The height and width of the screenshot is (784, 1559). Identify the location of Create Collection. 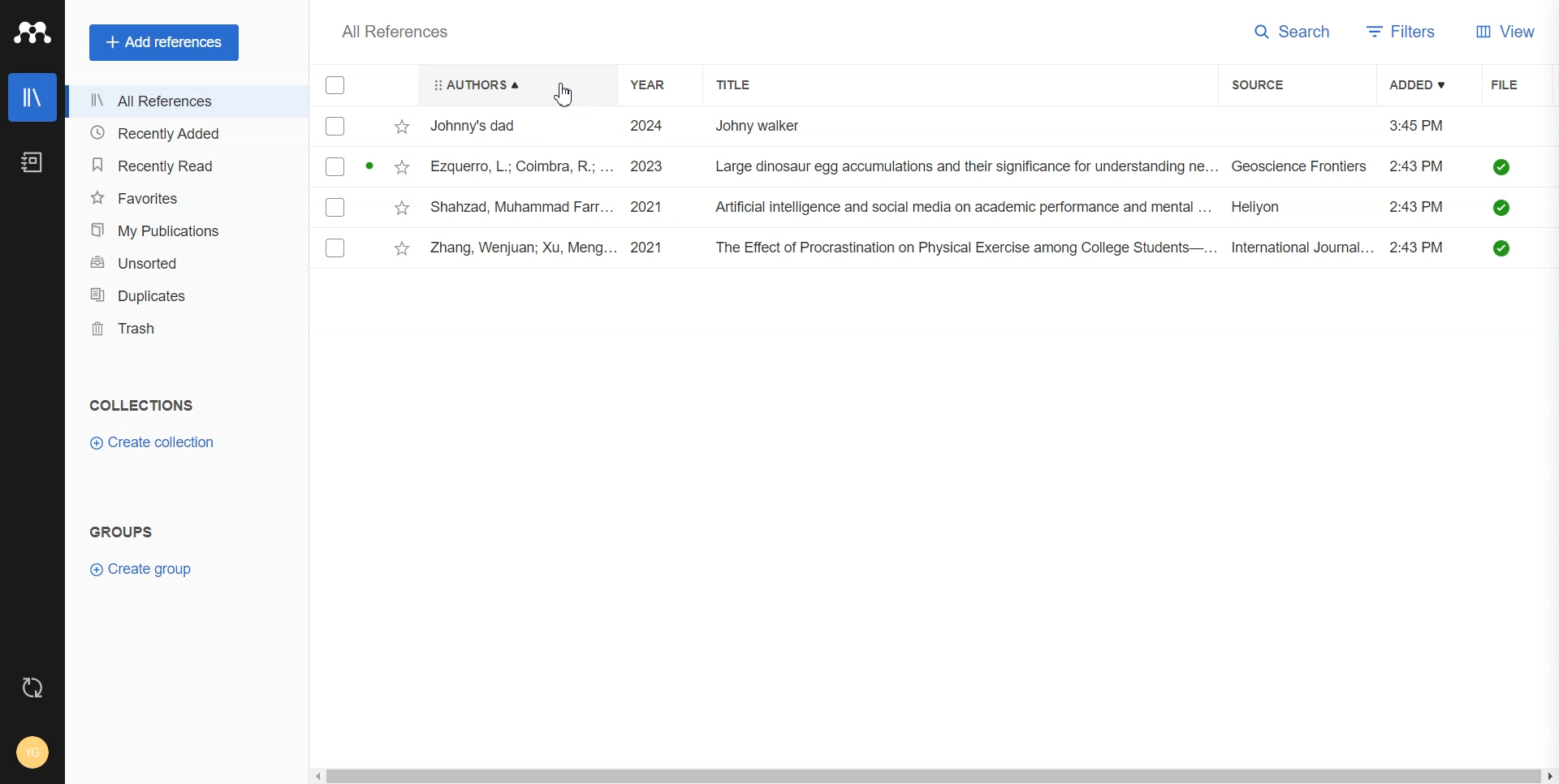
(155, 442).